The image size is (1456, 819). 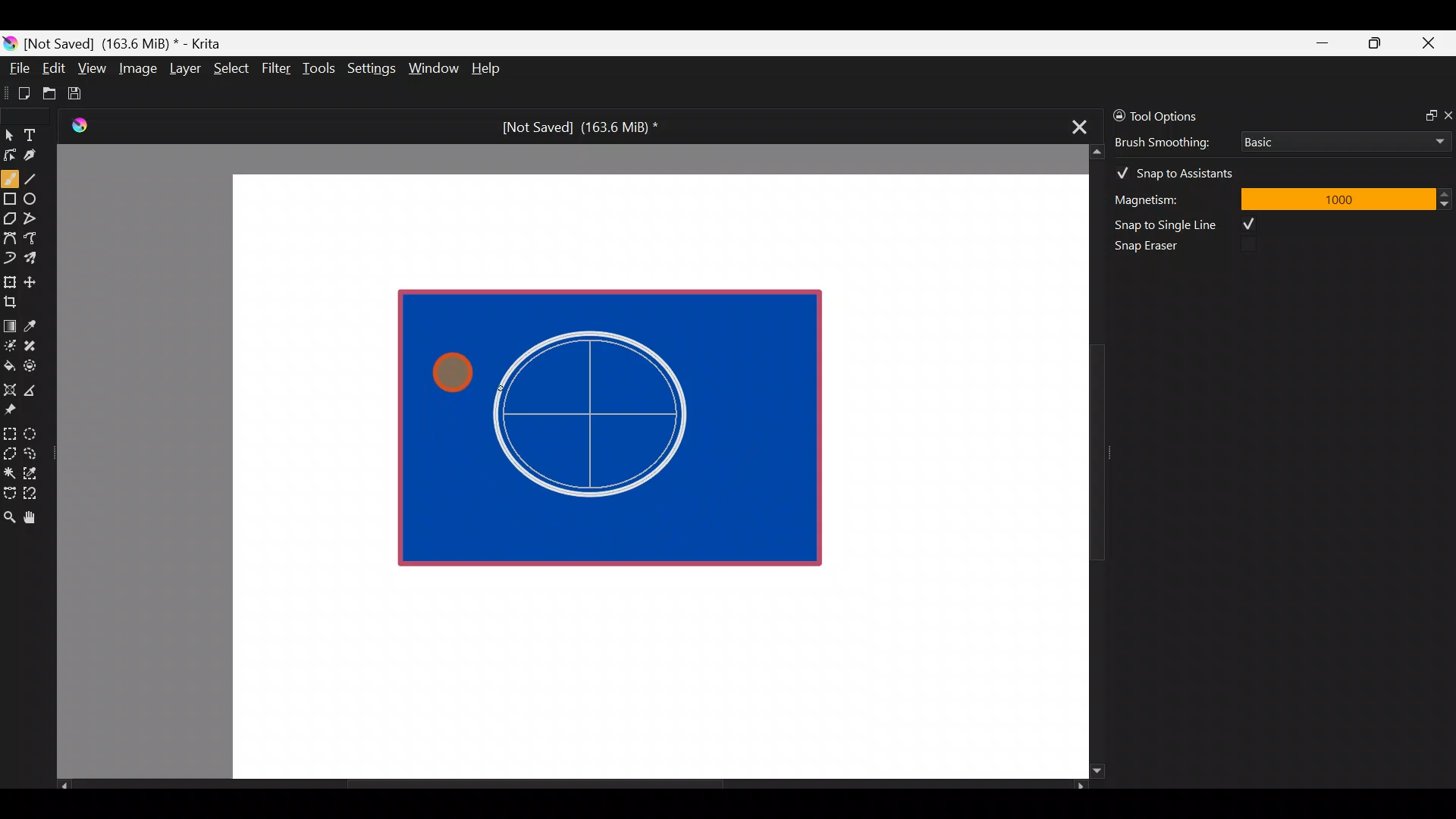 What do you see at coordinates (1447, 115) in the screenshot?
I see `Close docker` at bounding box center [1447, 115].